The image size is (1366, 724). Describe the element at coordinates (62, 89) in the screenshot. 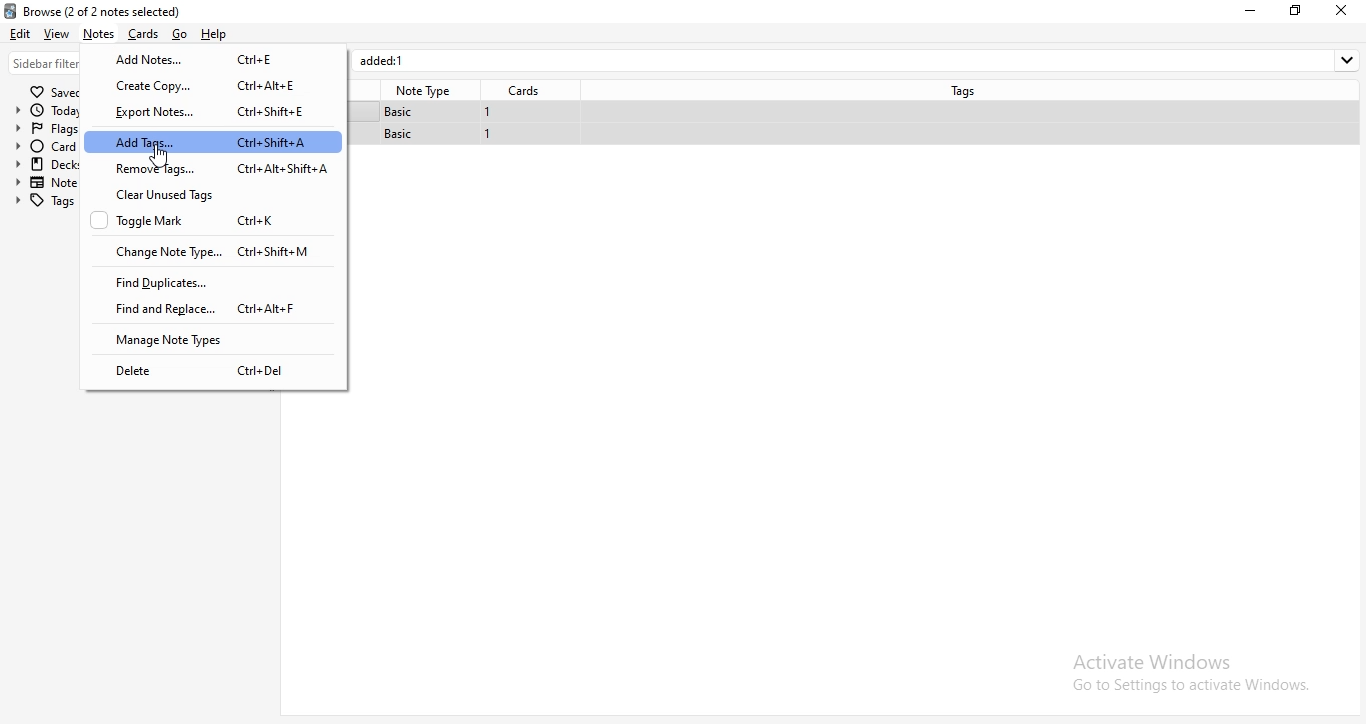

I see `saves searches` at that location.